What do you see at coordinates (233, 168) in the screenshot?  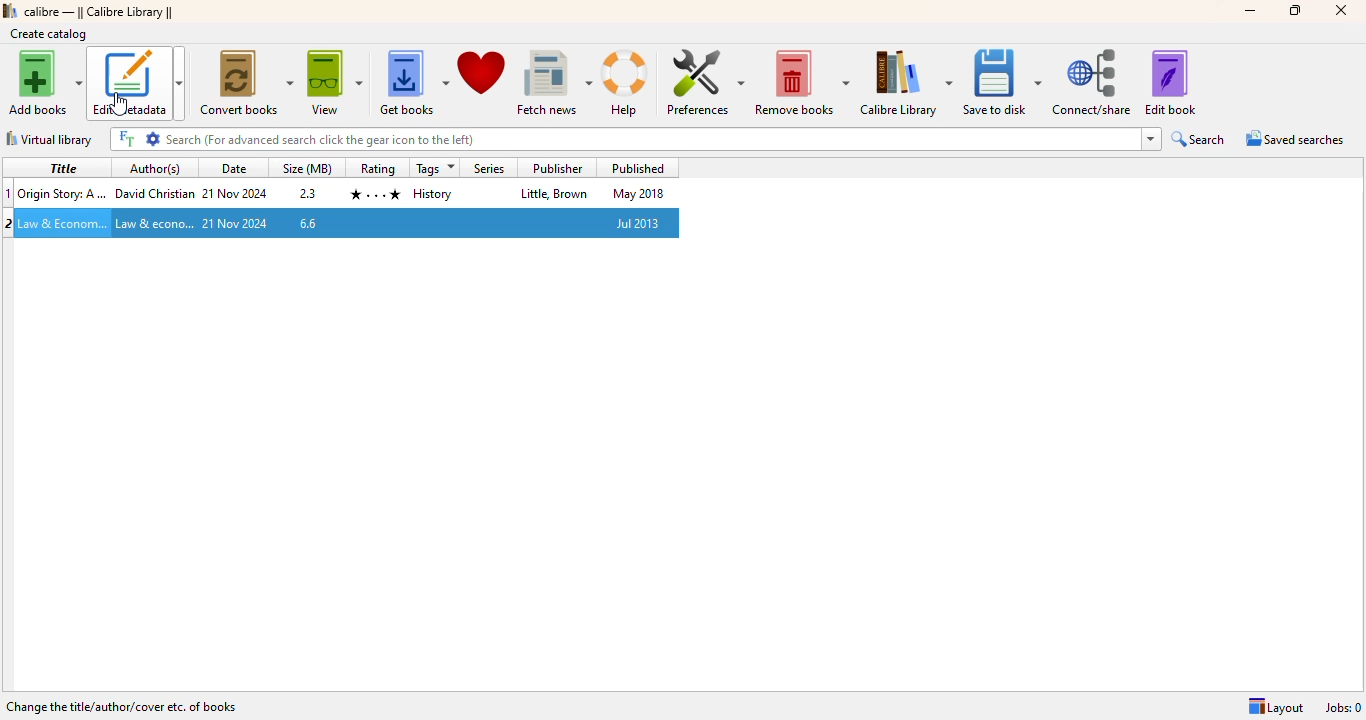 I see `date` at bounding box center [233, 168].